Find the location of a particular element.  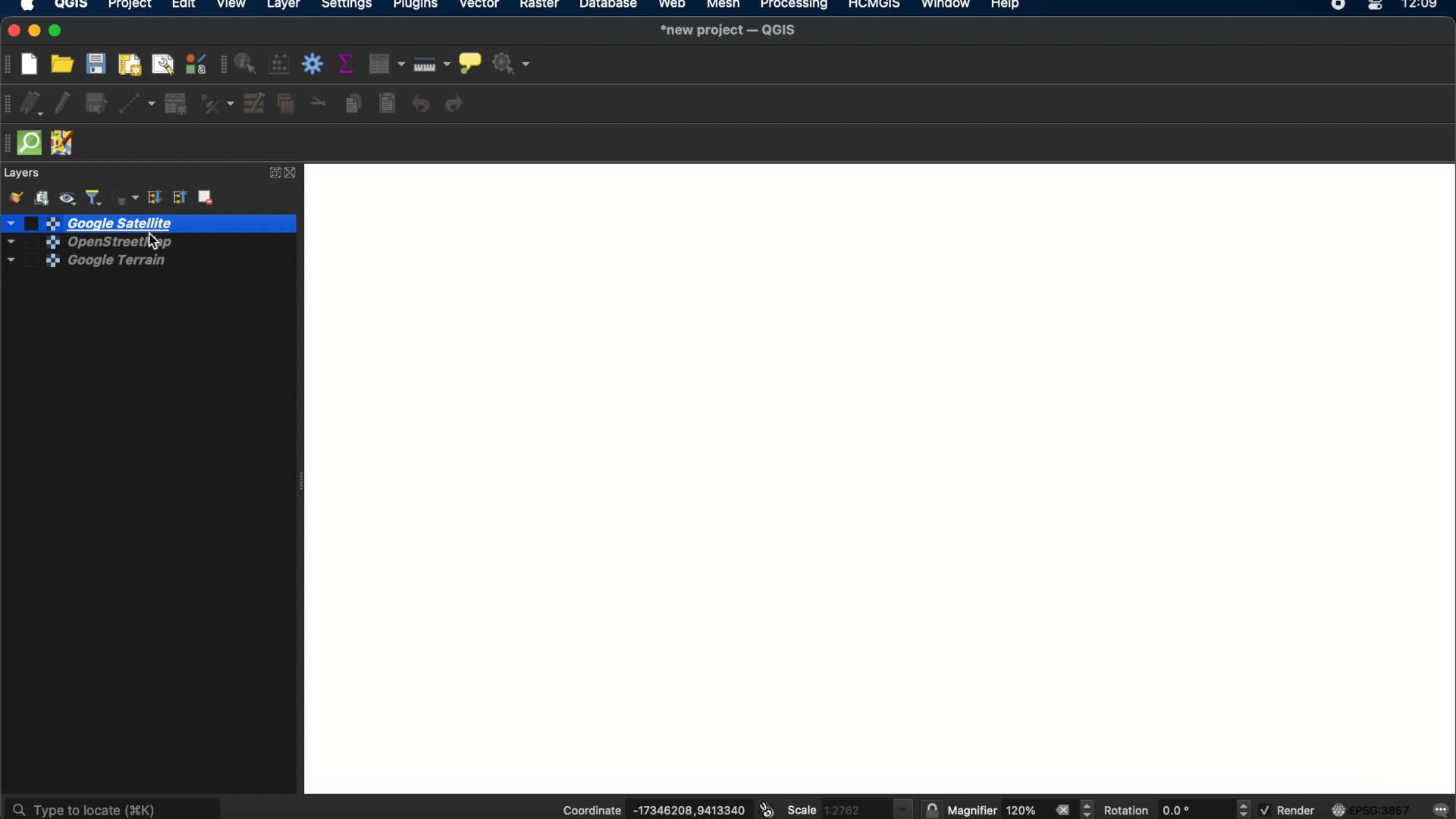

current edits is located at coordinates (36, 105).